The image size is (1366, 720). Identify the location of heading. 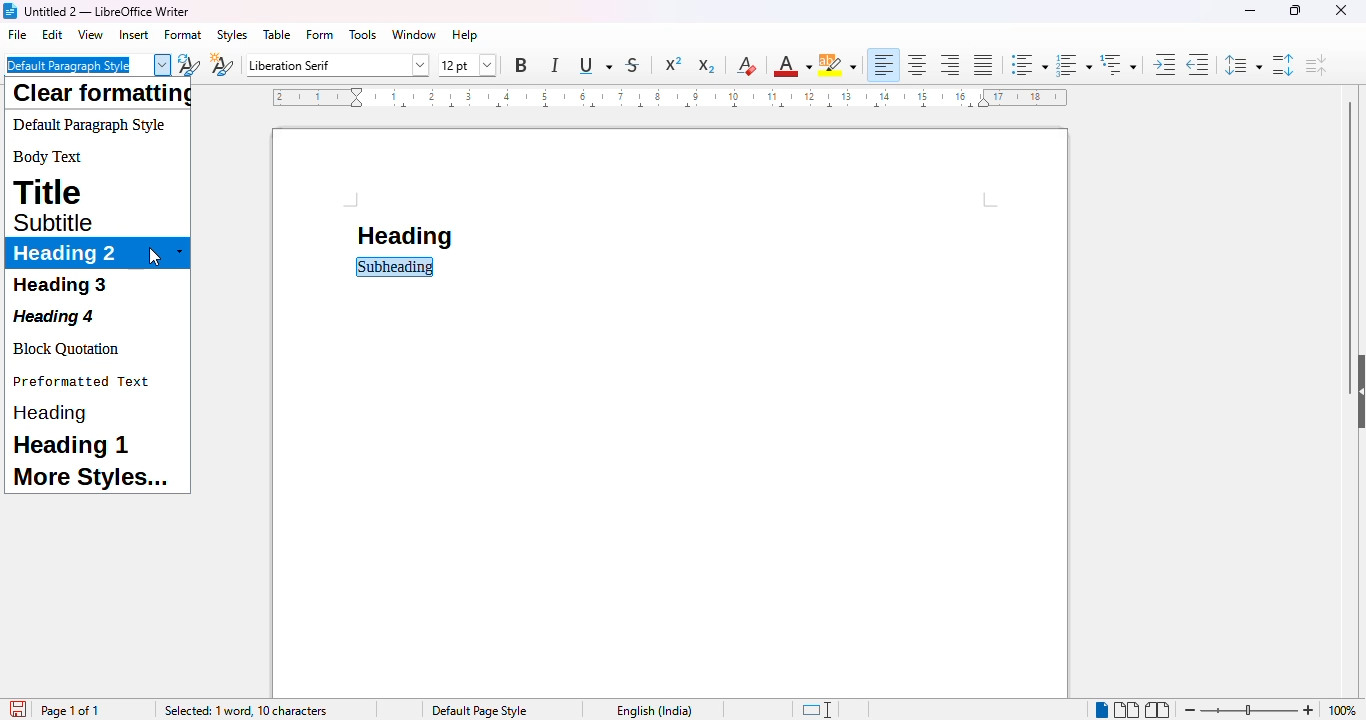
(50, 413).